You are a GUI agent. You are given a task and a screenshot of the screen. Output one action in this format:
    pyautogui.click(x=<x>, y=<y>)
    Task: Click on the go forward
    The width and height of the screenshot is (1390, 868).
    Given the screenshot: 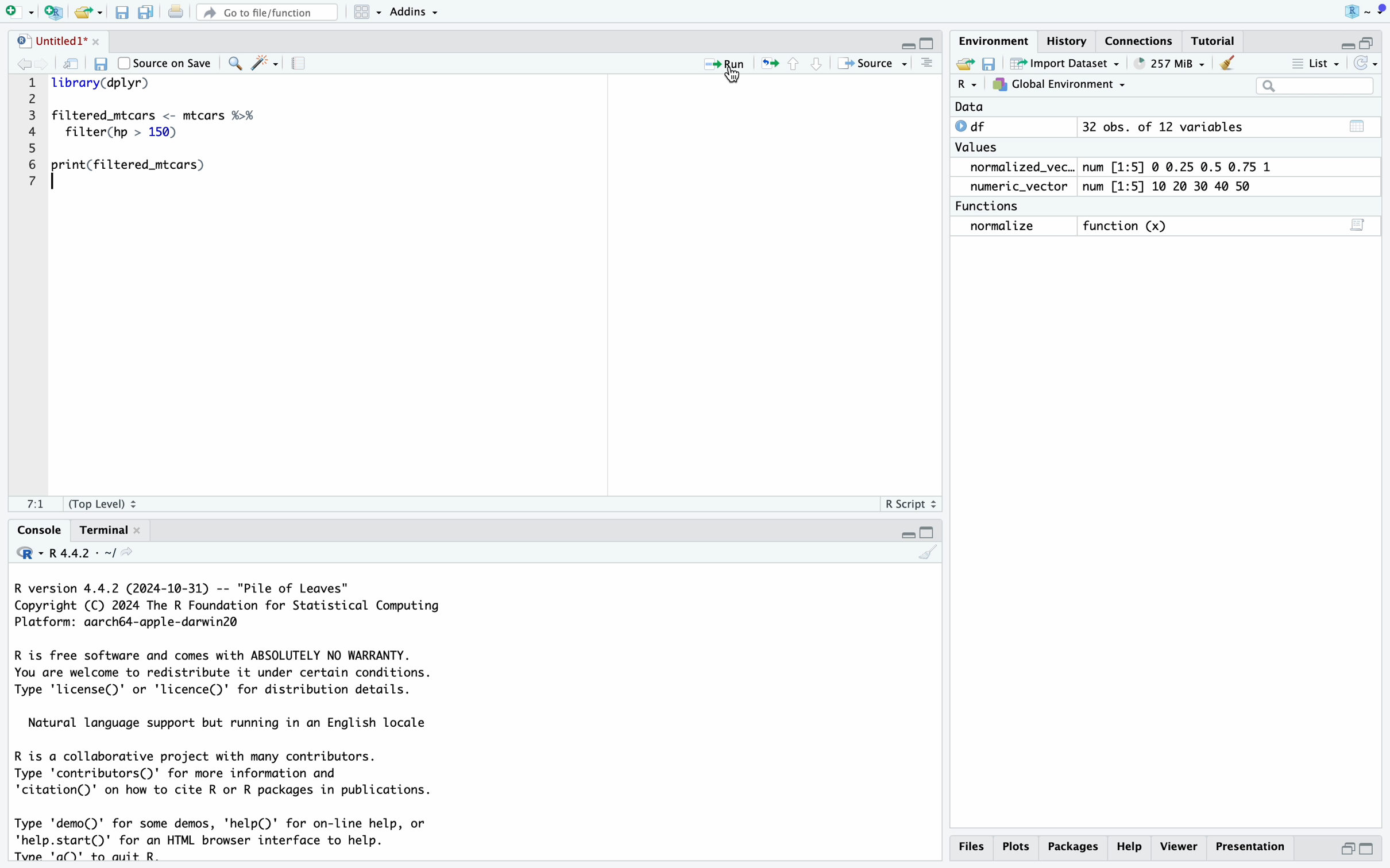 What is the action you would take?
    pyautogui.click(x=41, y=63)
    